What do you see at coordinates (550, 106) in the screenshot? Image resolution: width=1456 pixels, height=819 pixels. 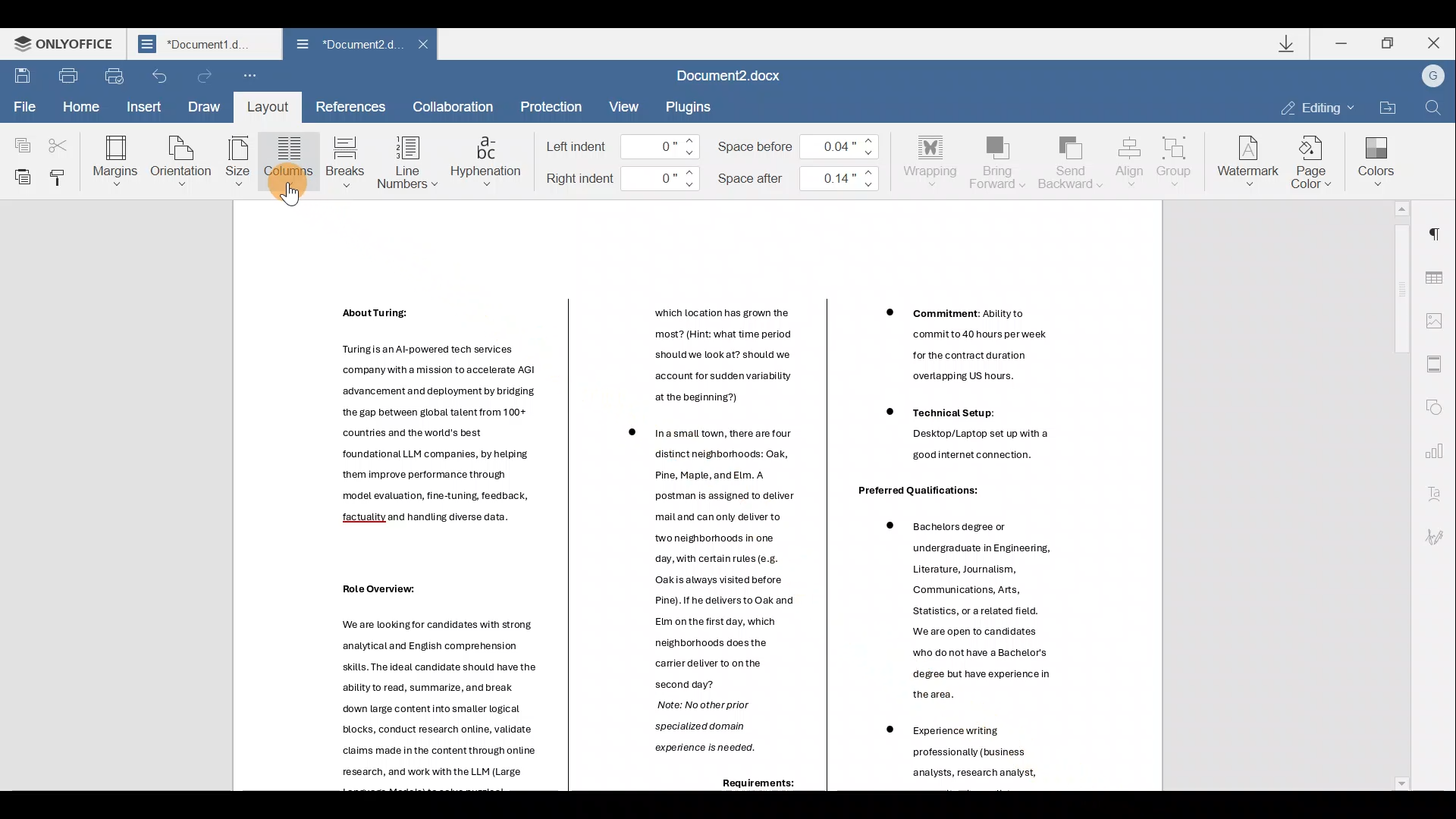 I see `Protection` at bounding box center [550, 106].